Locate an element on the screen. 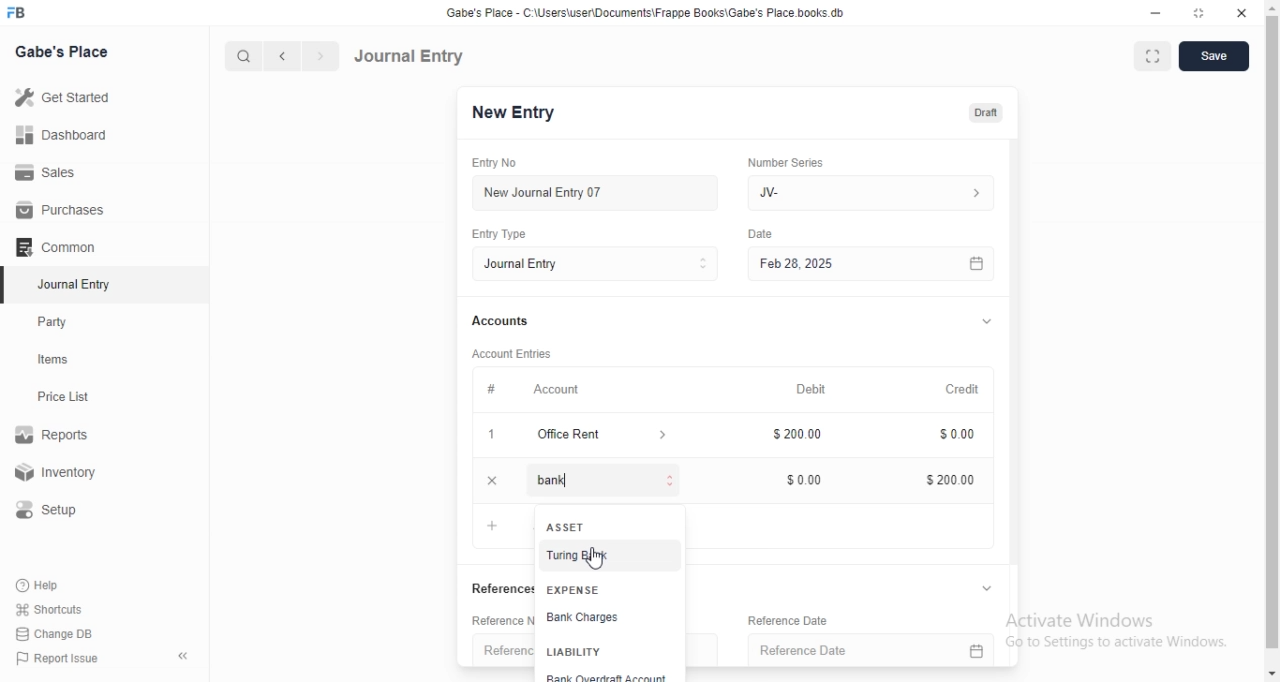  + ASSET is located at coordinates (569, 528).